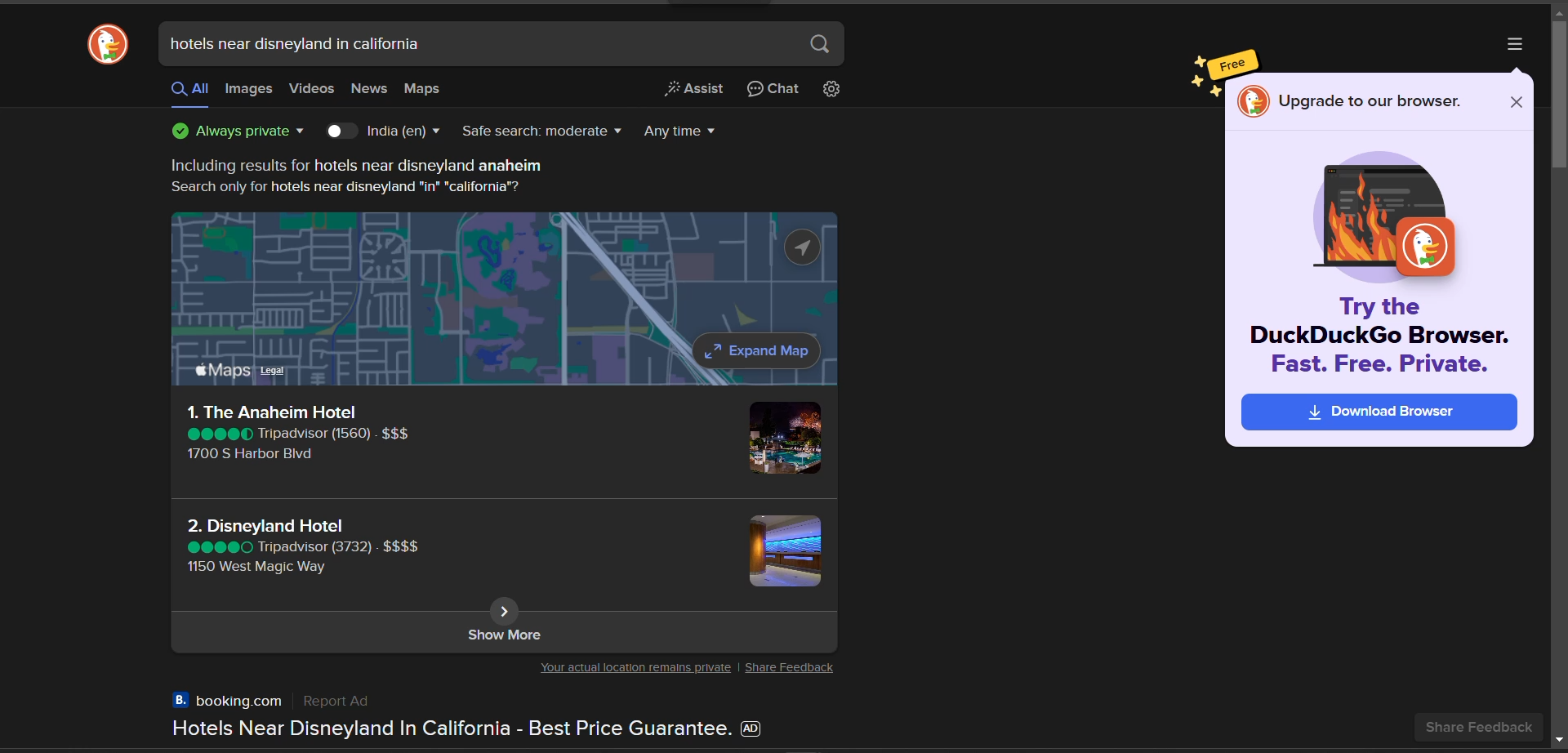  What do you see at coordinates (106, 45) in the screenshot?
I see `logo` at bounding box center [106, 45].